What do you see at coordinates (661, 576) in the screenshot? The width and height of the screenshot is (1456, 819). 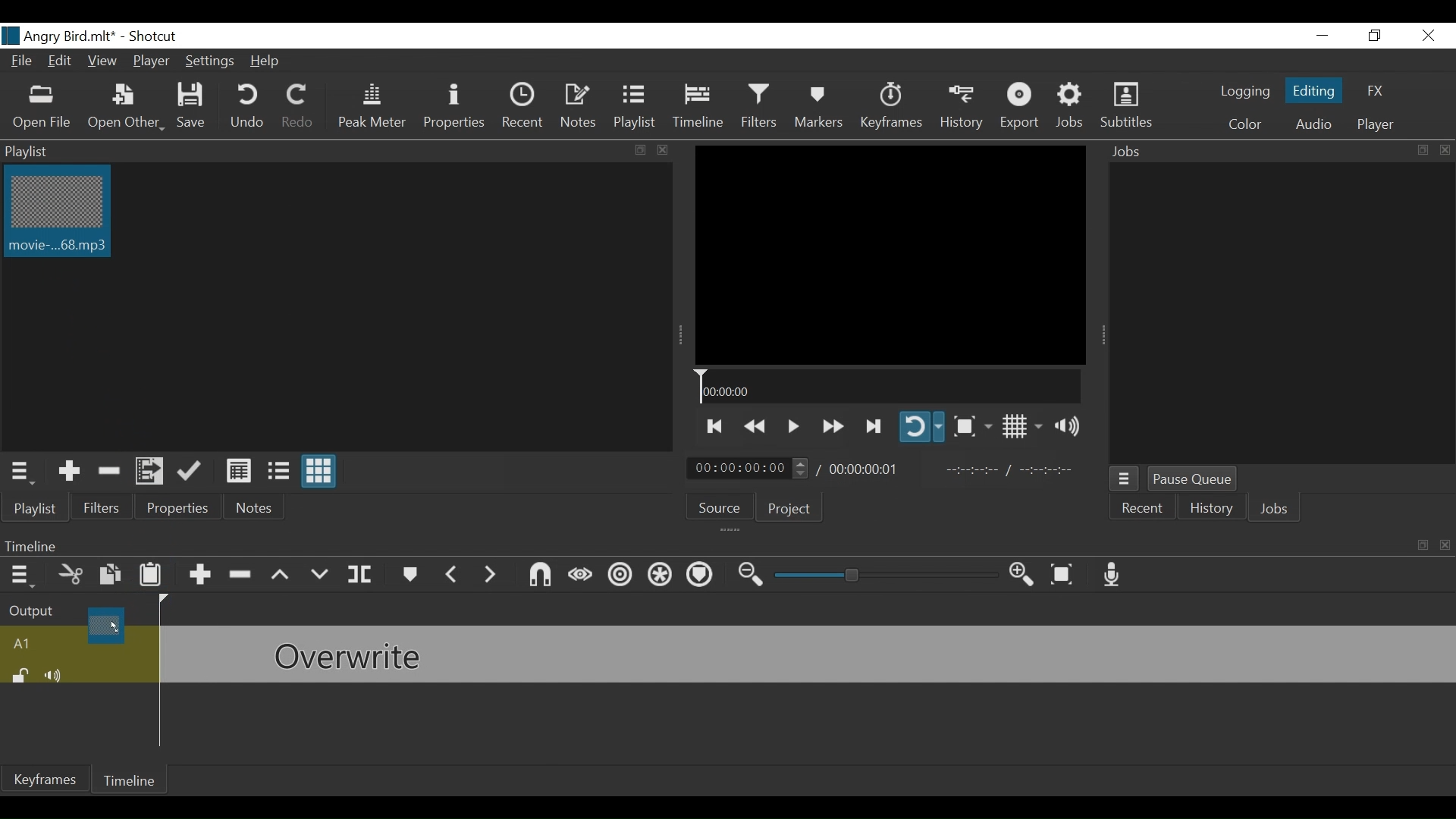 I see `Ripple all tracks` at bounding box center [661, 576].